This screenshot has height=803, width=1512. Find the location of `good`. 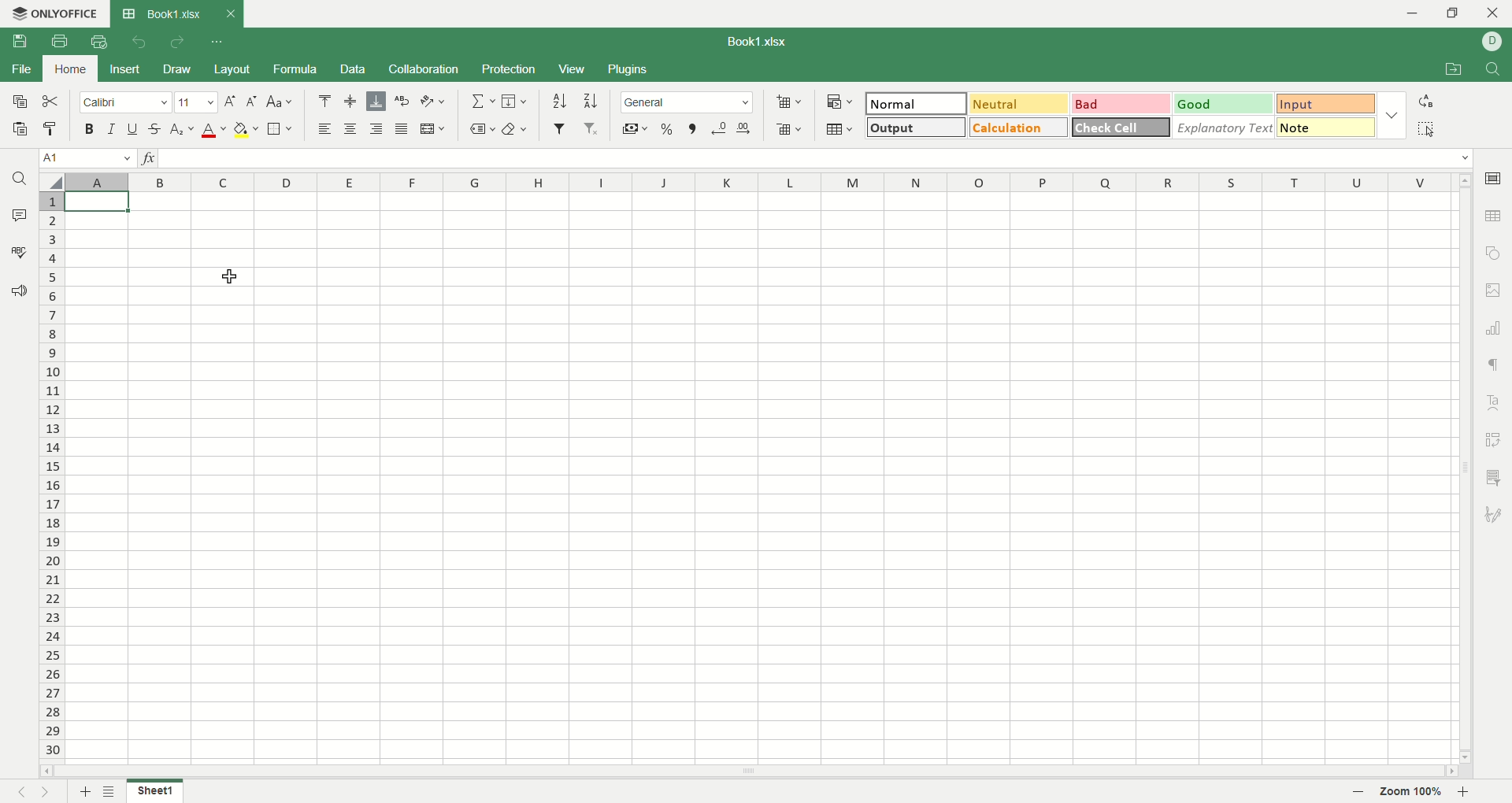

good is located at coordinates (1220, 103).